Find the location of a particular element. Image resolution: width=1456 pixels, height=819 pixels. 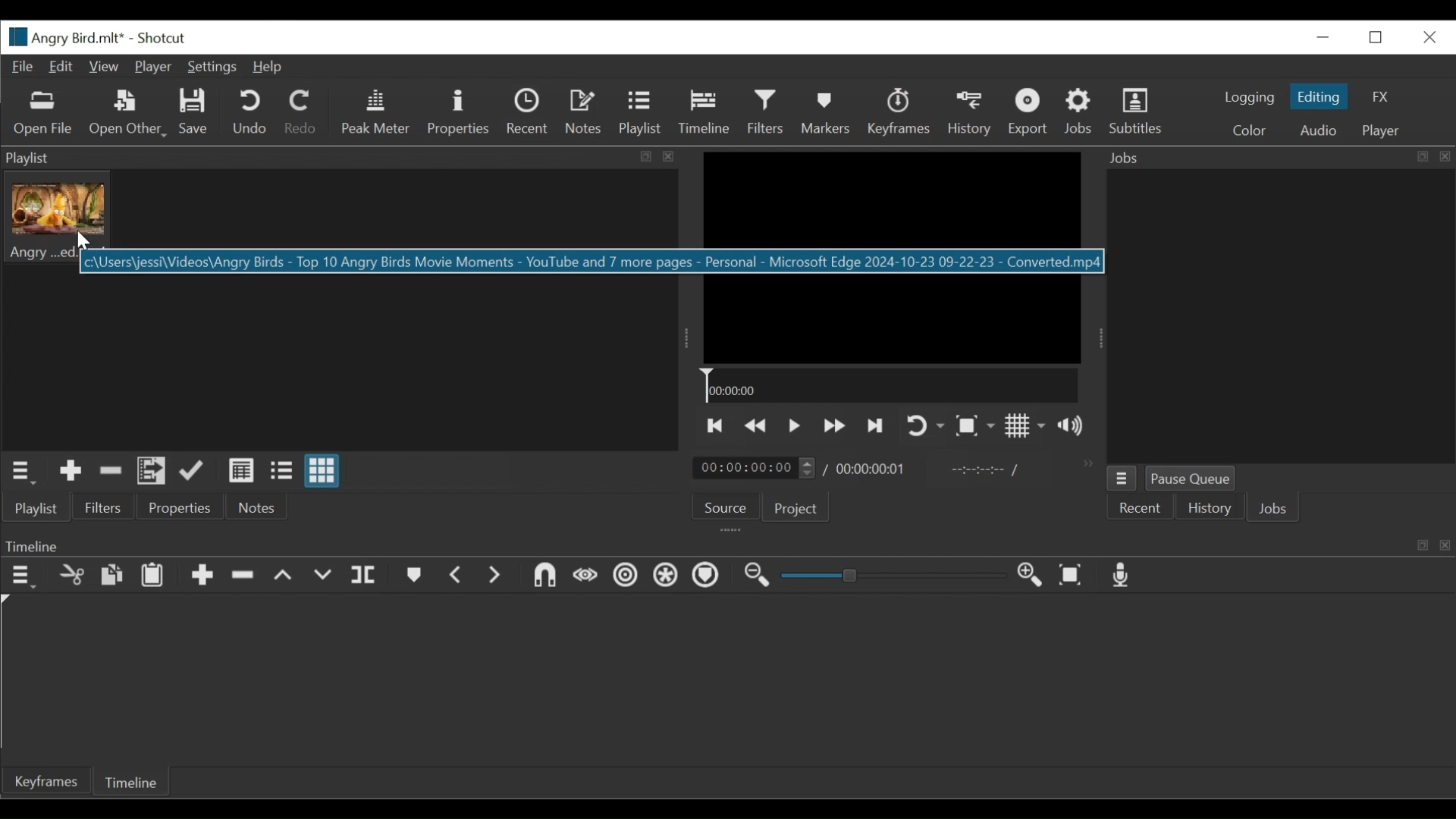

Project is located at coordinates (795, 508).